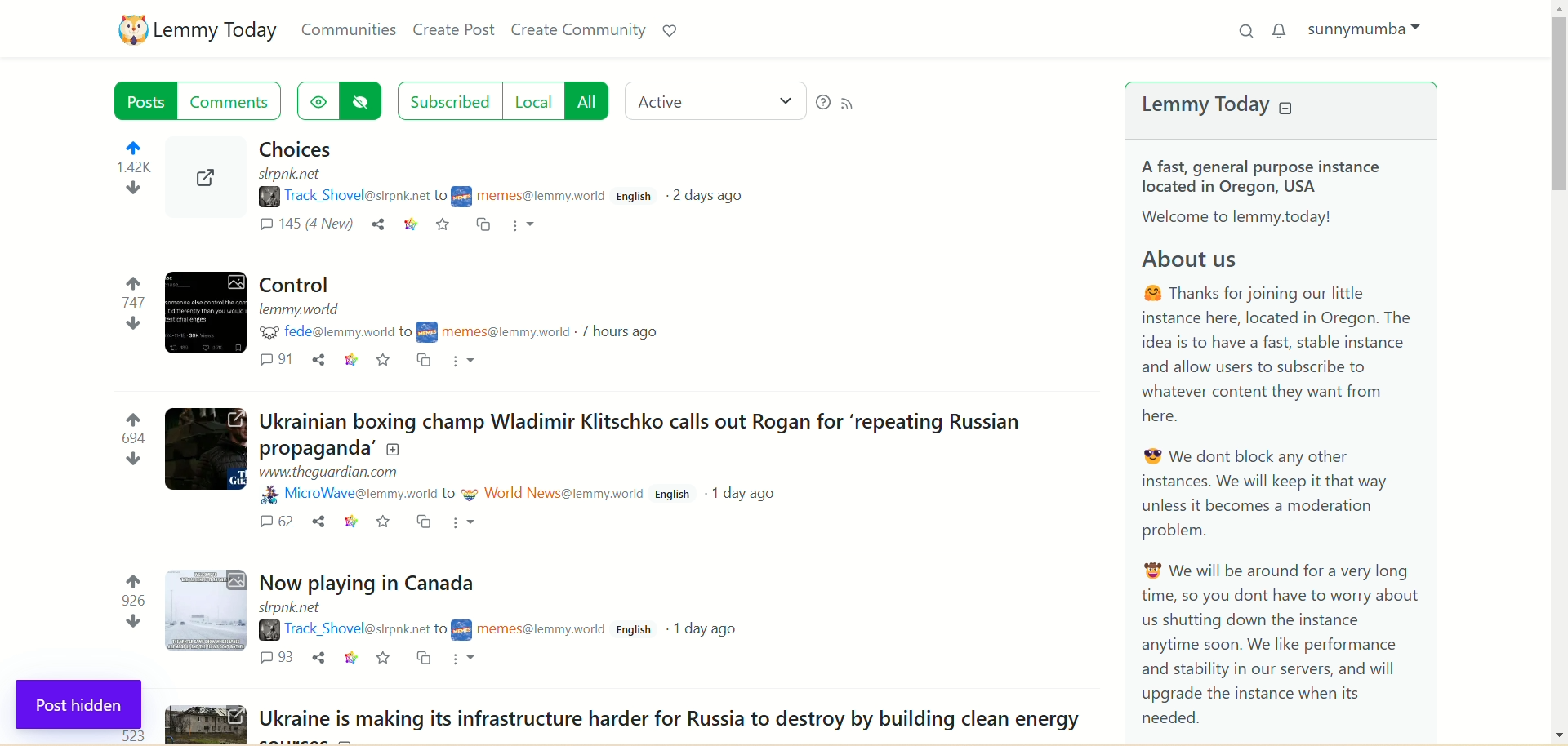  I want to click on share, so click(379, 224).